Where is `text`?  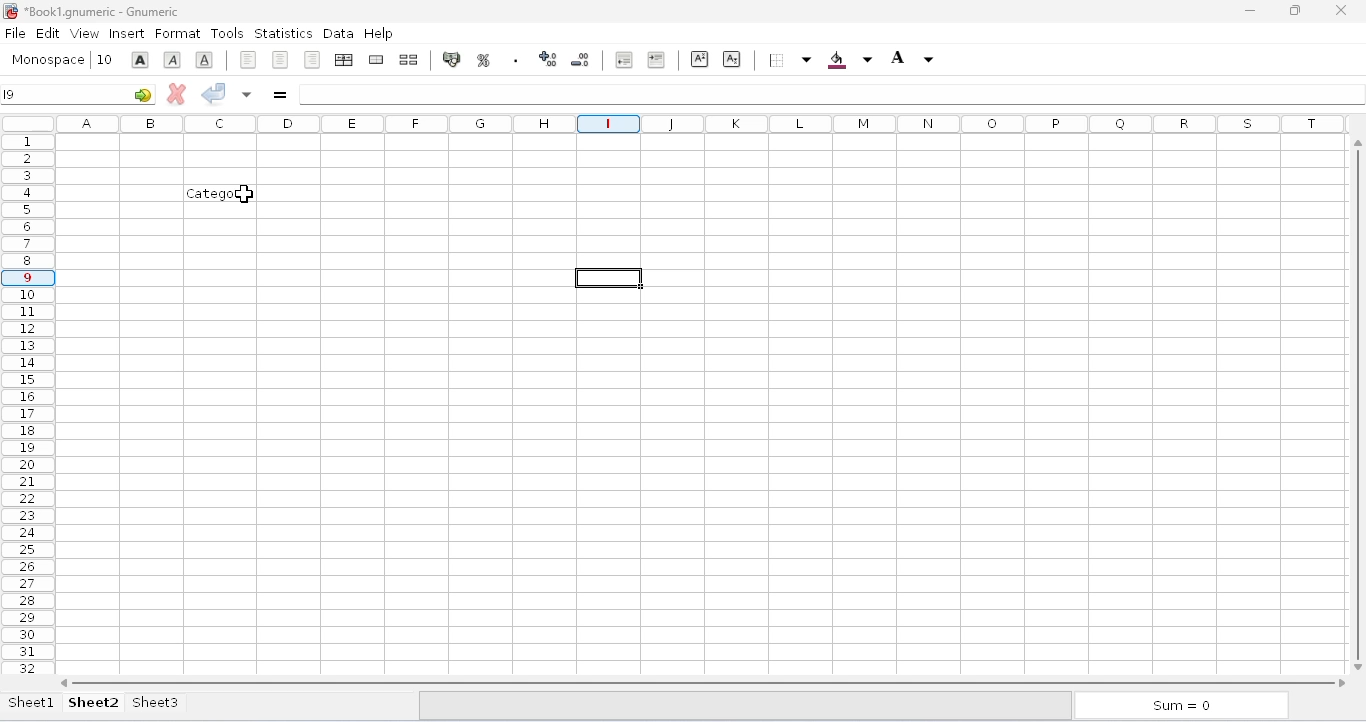
text is located at coordinates (219, 194).